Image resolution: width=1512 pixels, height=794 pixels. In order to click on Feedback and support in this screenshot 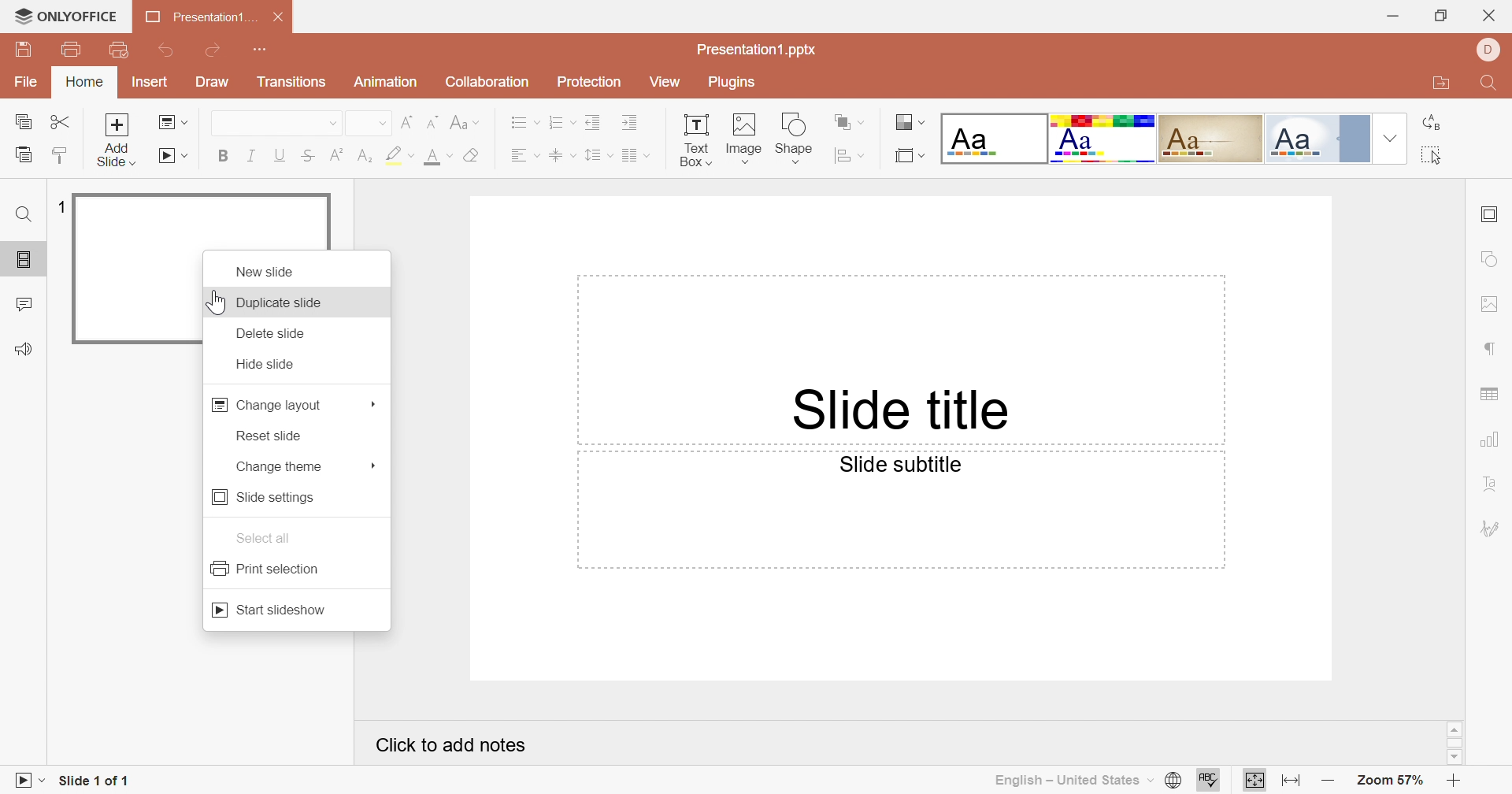, I will do `click(26, 347)`.